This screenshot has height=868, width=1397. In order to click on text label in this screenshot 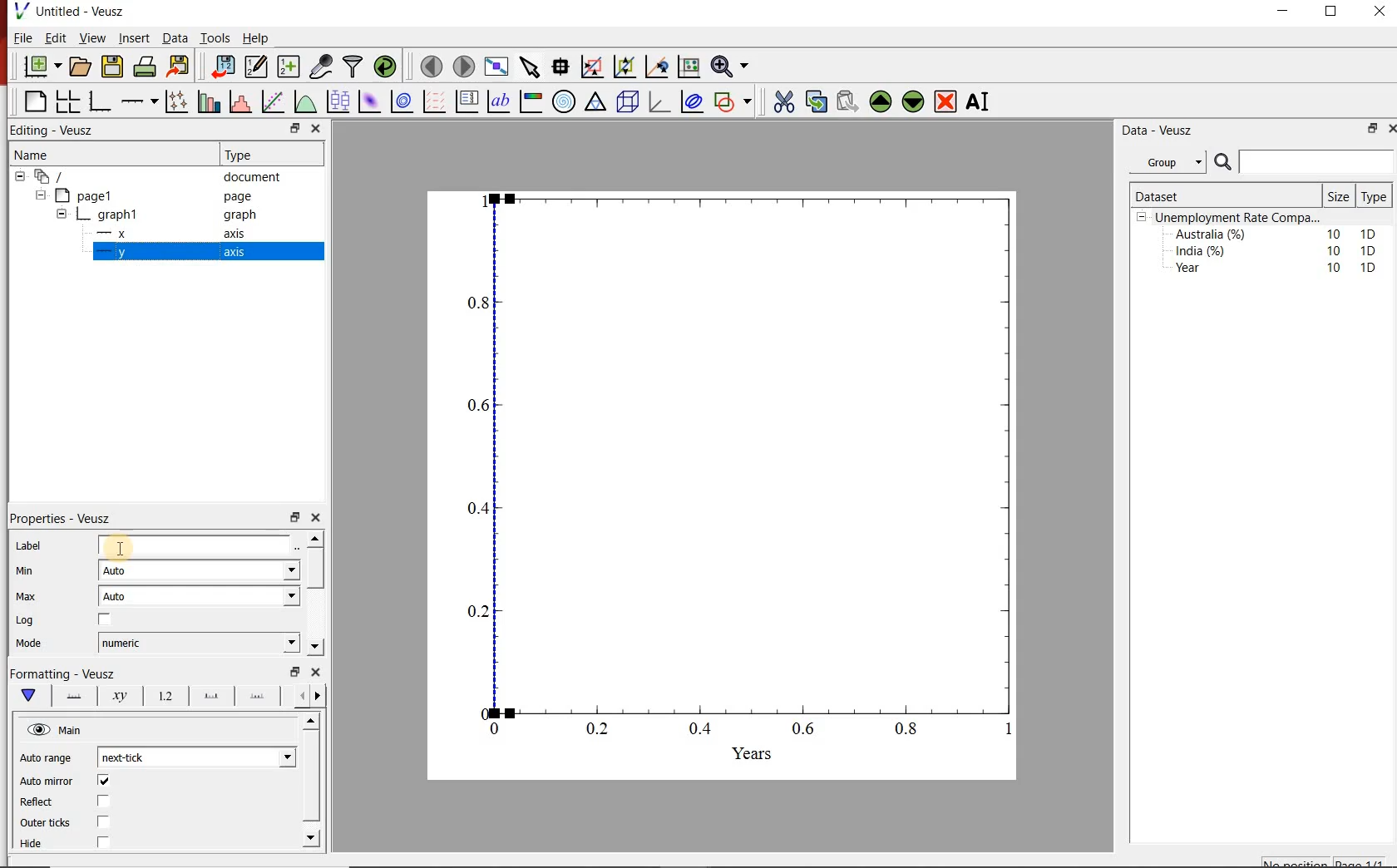, I will do `click(499, 101)`.